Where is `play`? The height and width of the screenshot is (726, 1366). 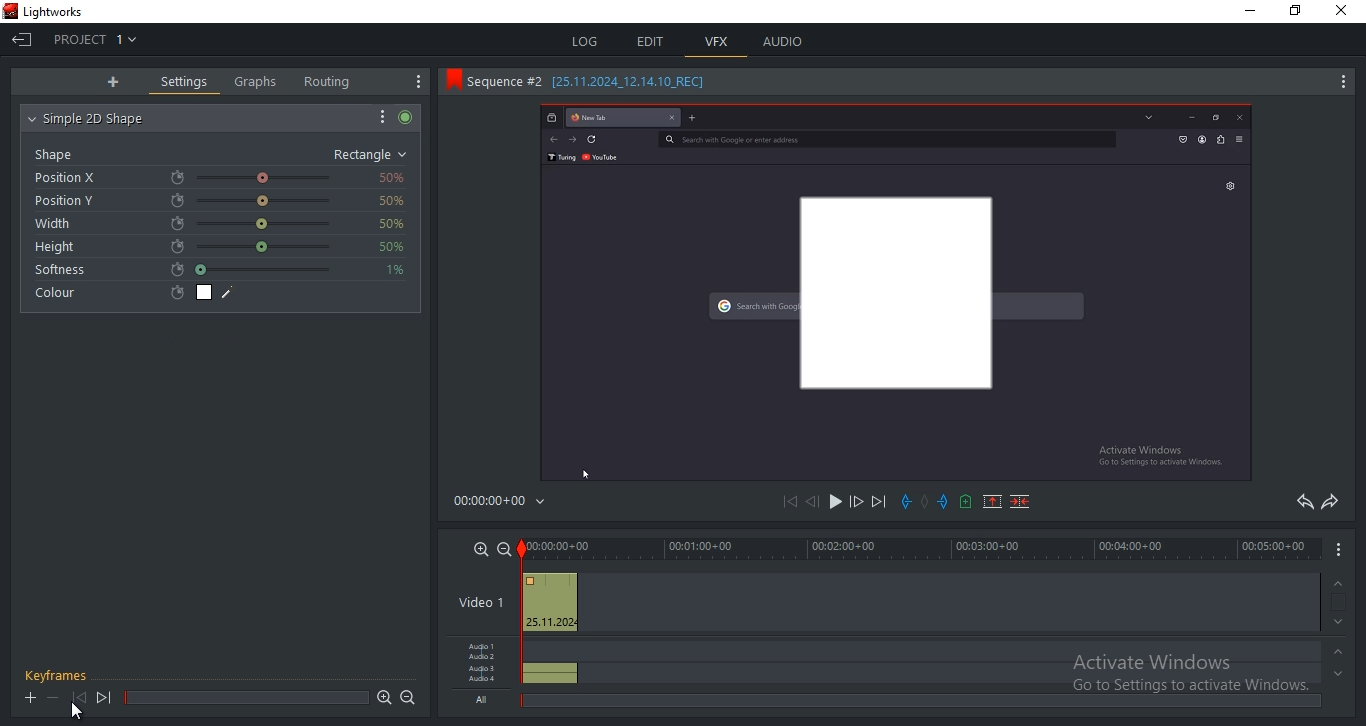
play is located at coordinates (833, 504).